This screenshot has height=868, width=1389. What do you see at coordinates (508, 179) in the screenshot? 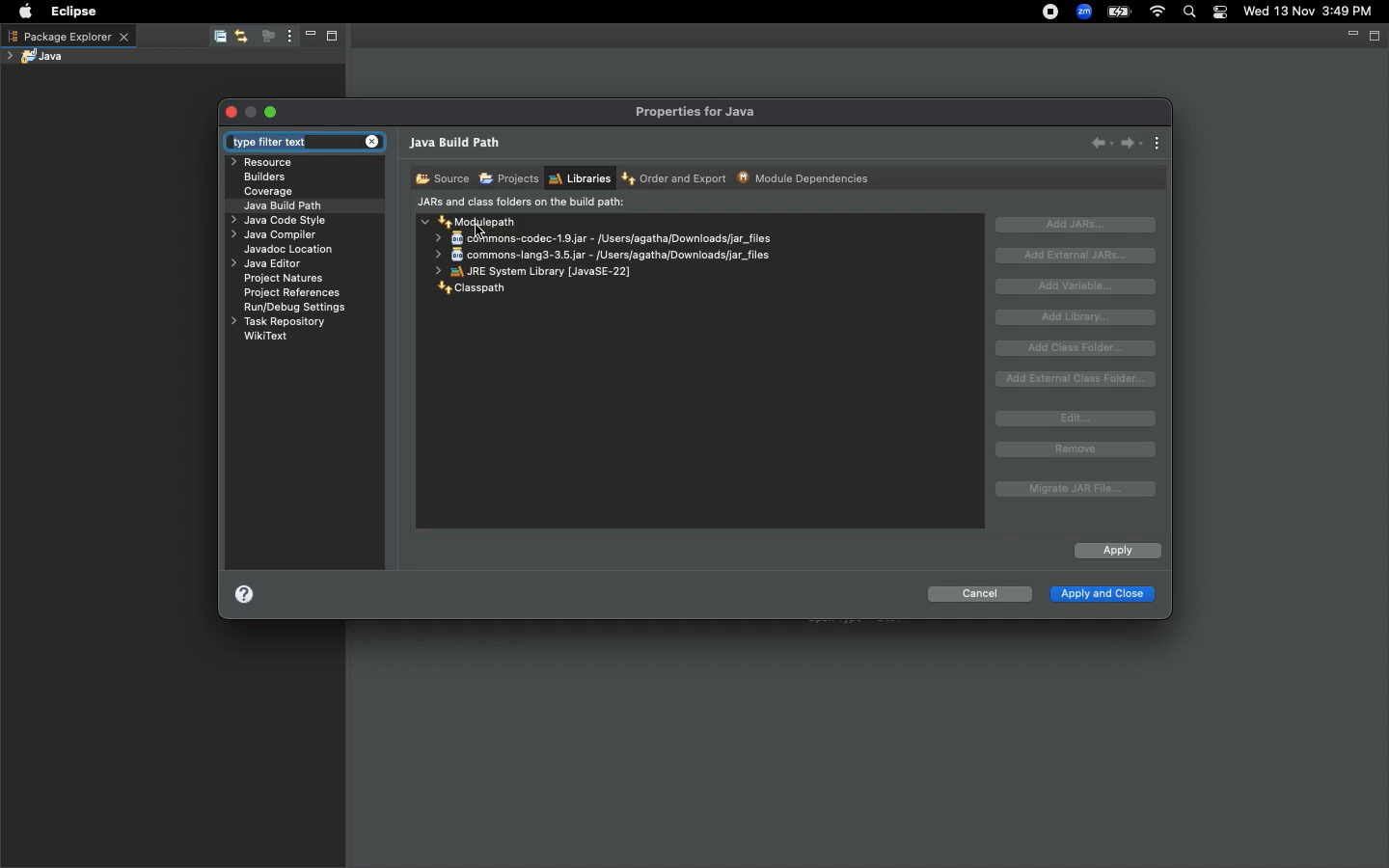
I see `Projects` at bounding box center [508, 179].